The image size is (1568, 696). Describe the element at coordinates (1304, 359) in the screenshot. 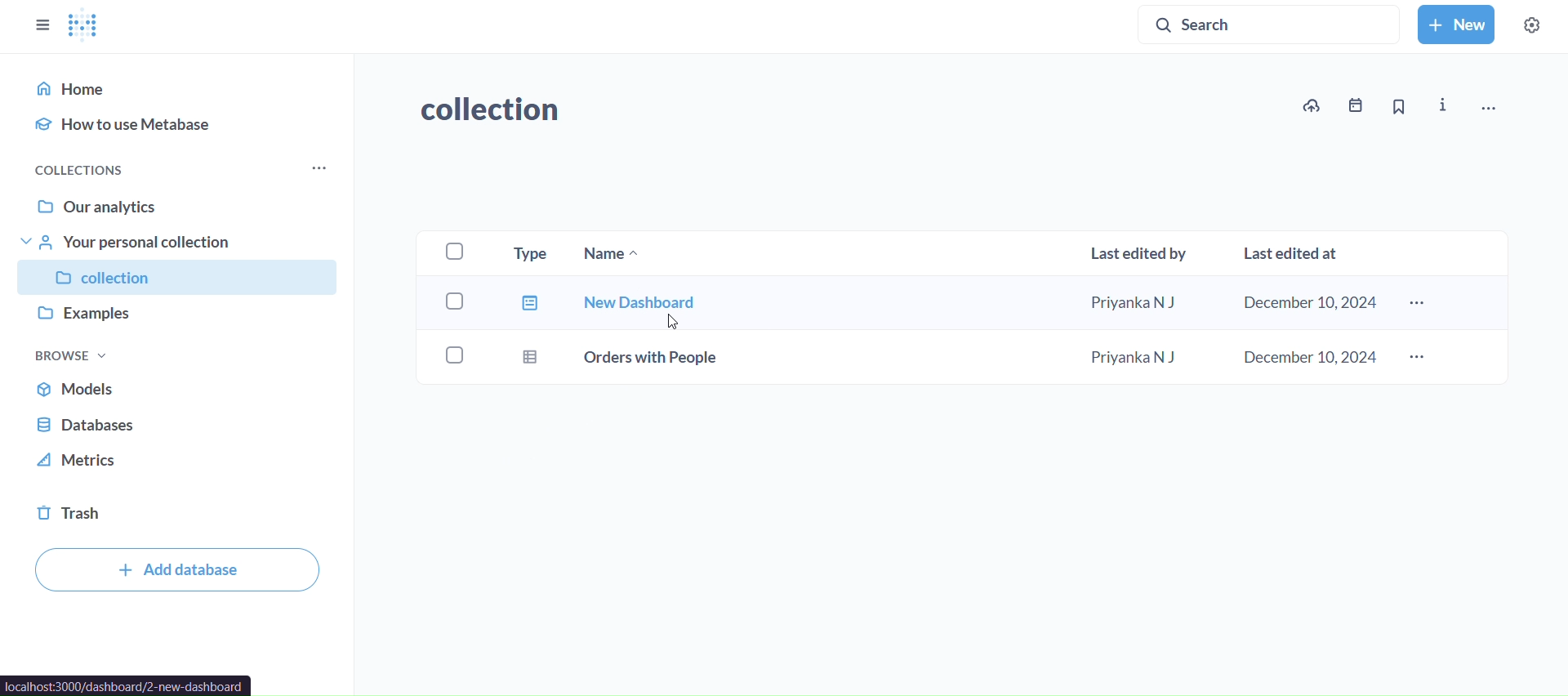

I see `december 10,2024` at that location.